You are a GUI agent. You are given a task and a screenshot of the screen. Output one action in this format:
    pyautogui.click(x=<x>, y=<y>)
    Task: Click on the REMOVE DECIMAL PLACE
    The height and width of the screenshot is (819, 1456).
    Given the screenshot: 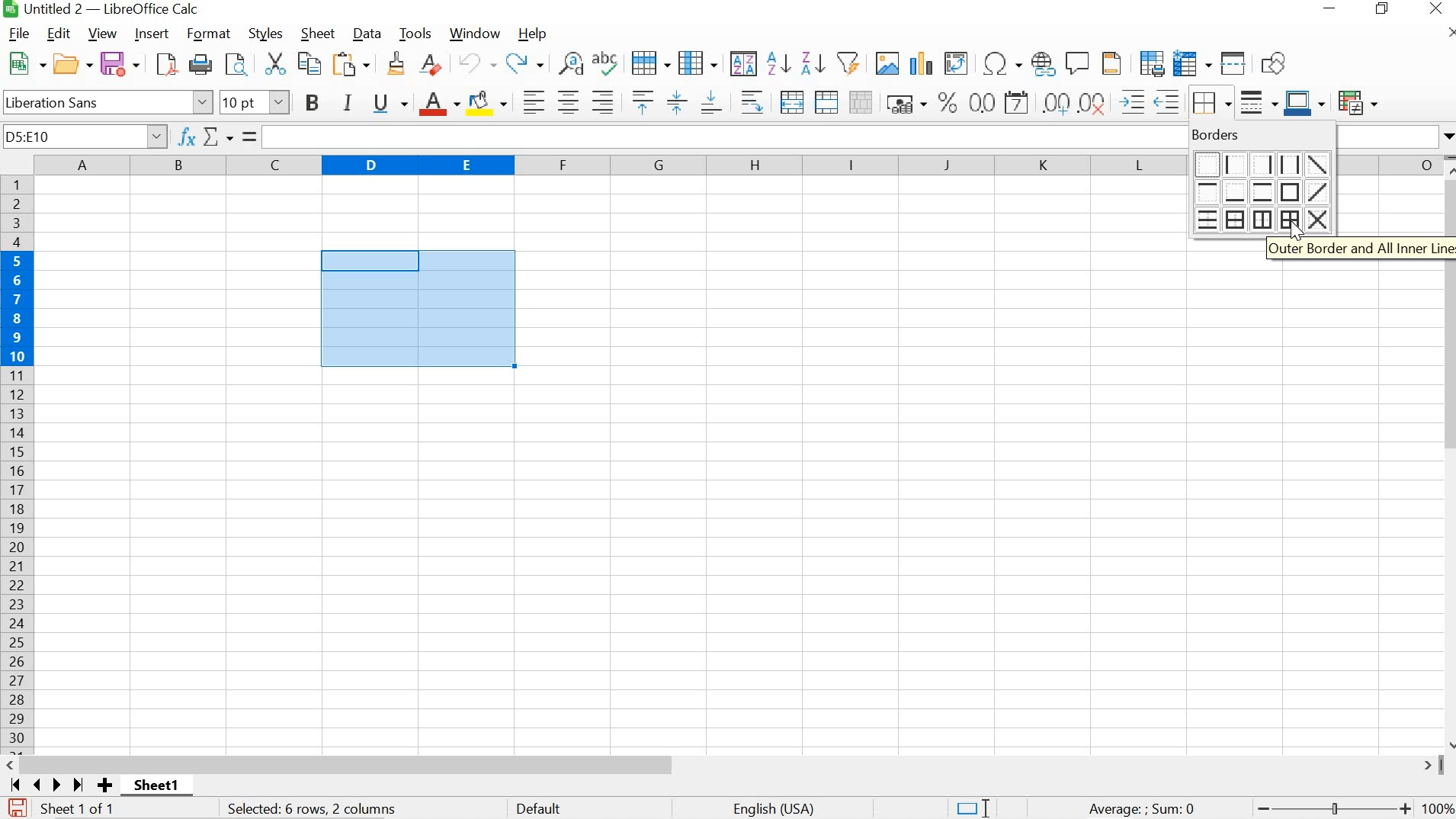 What is the action you would take?
    pyautogui.click(x=1094, y=103)
    